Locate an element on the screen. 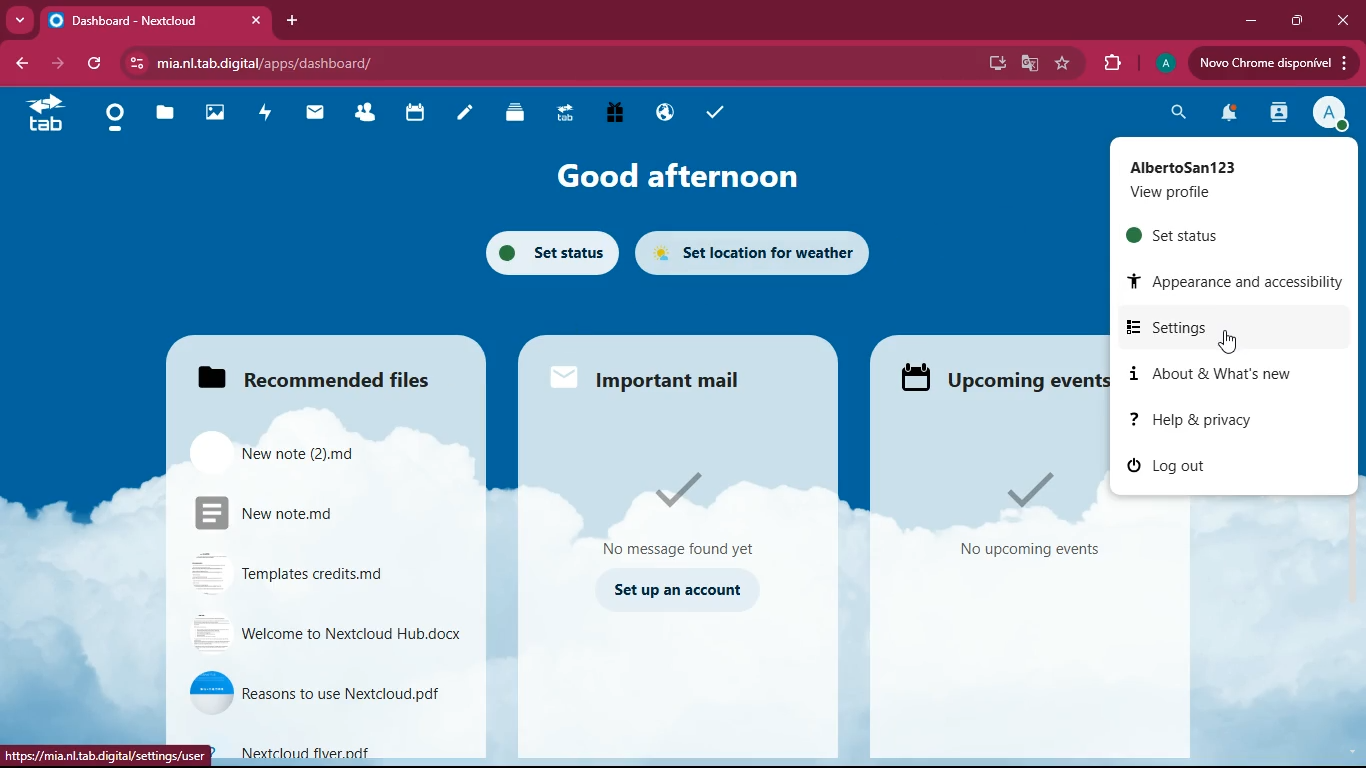 The height and width of the screenshot is (768, 1366). add tab is located at coordinates (290, 21).